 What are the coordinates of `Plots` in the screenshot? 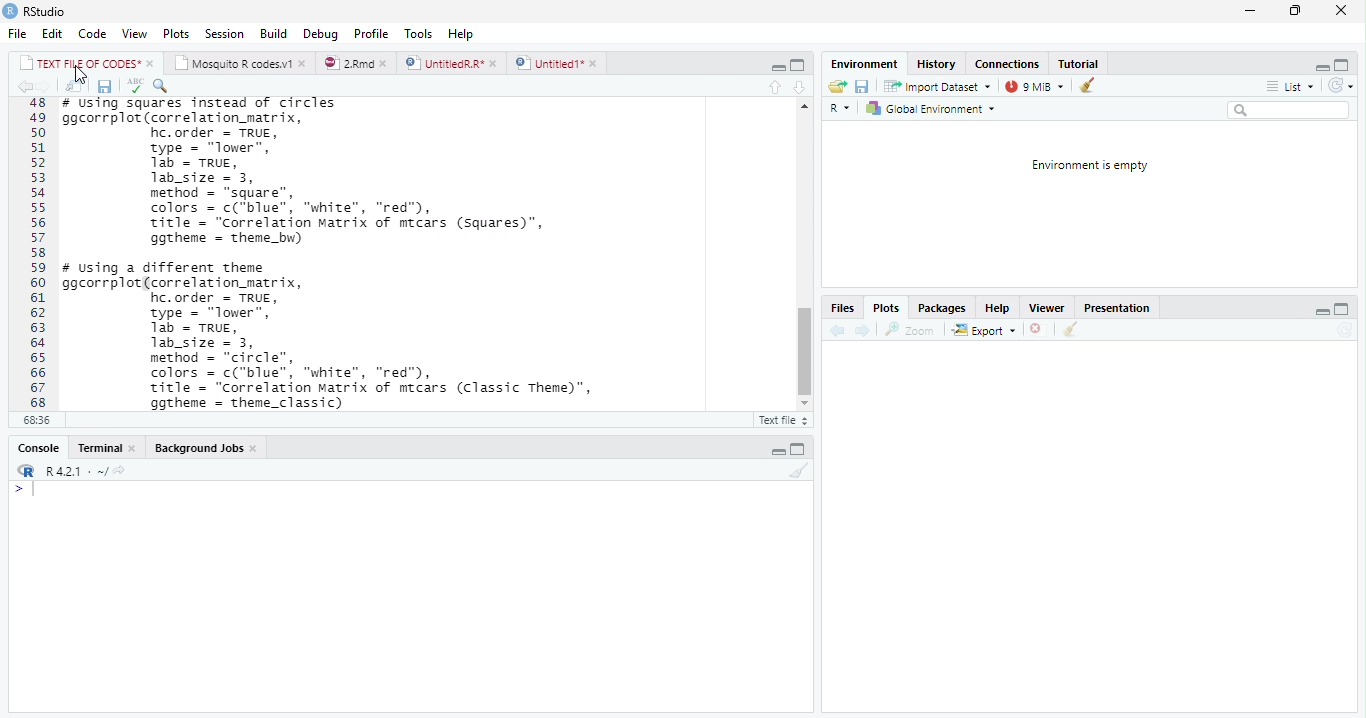 It's located at (888, 309).